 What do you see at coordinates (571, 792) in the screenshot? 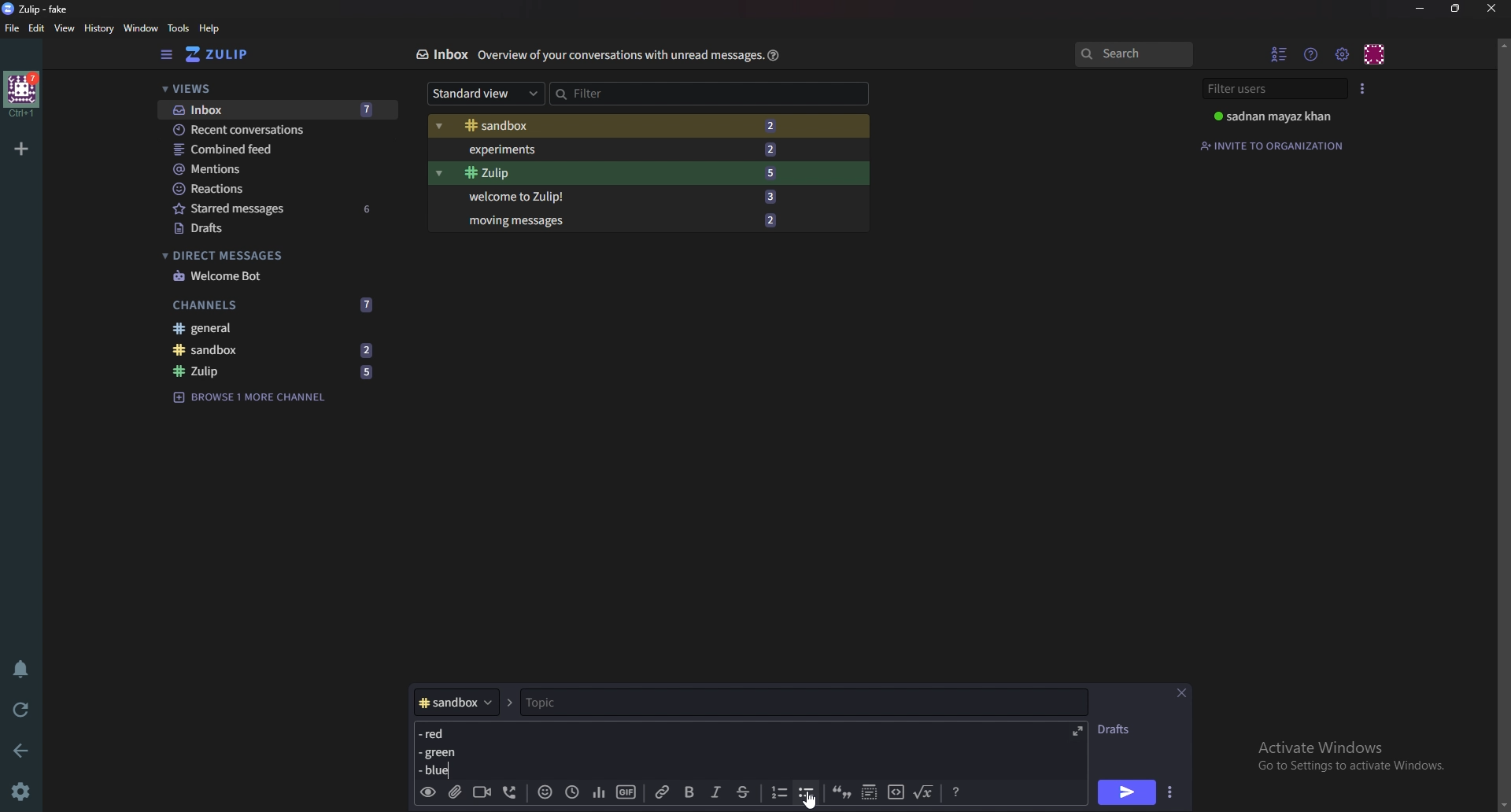
I see `Global time` at bounding box center [571, 792].